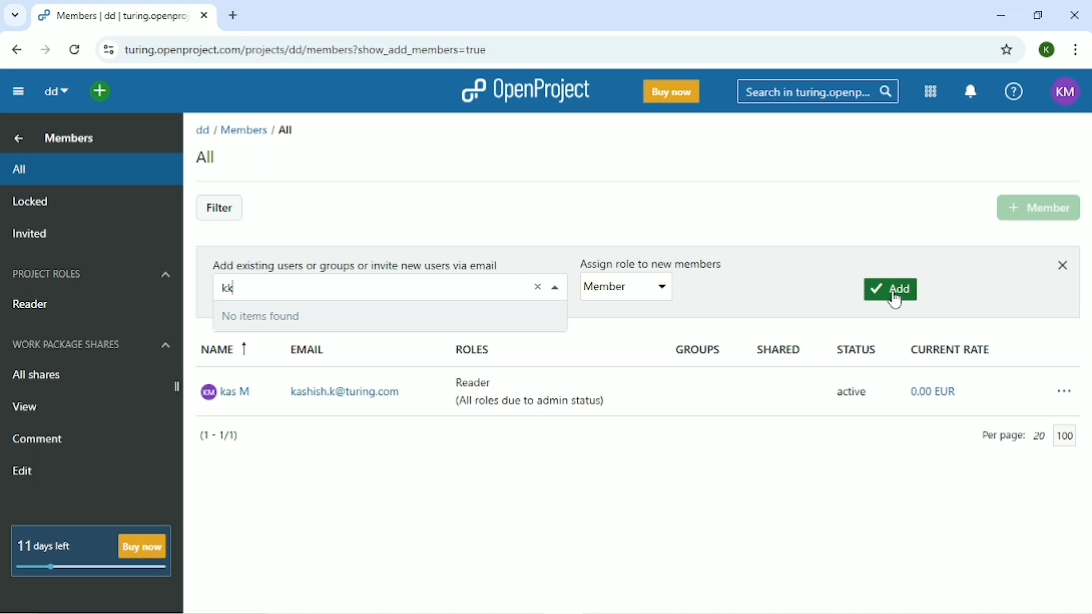  What do you see at coordinates (225, 436) in the screenshot?
I see `(1-1/1)` at bounding box center [225, 436].